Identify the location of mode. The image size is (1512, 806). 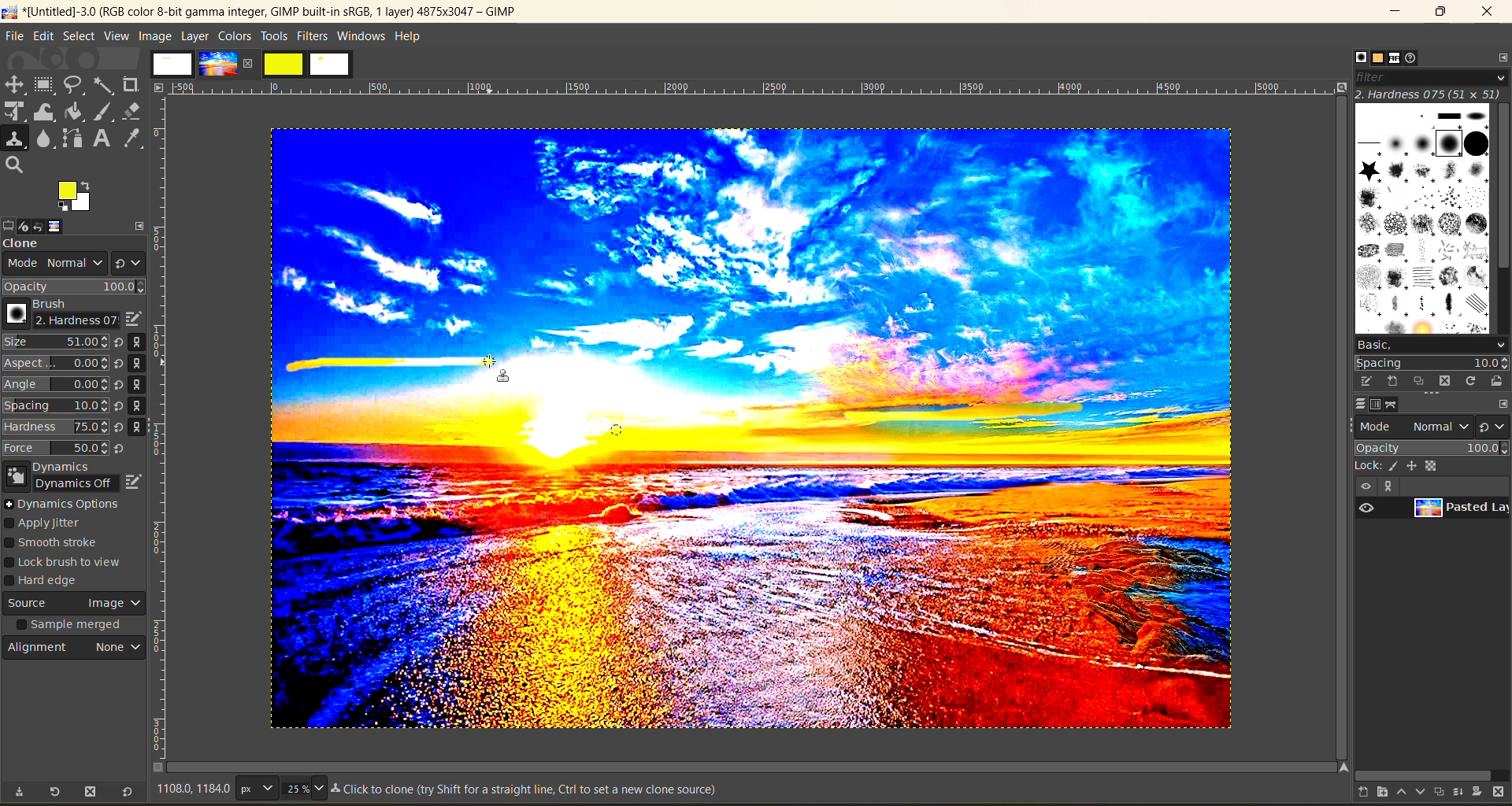
(50, 265).